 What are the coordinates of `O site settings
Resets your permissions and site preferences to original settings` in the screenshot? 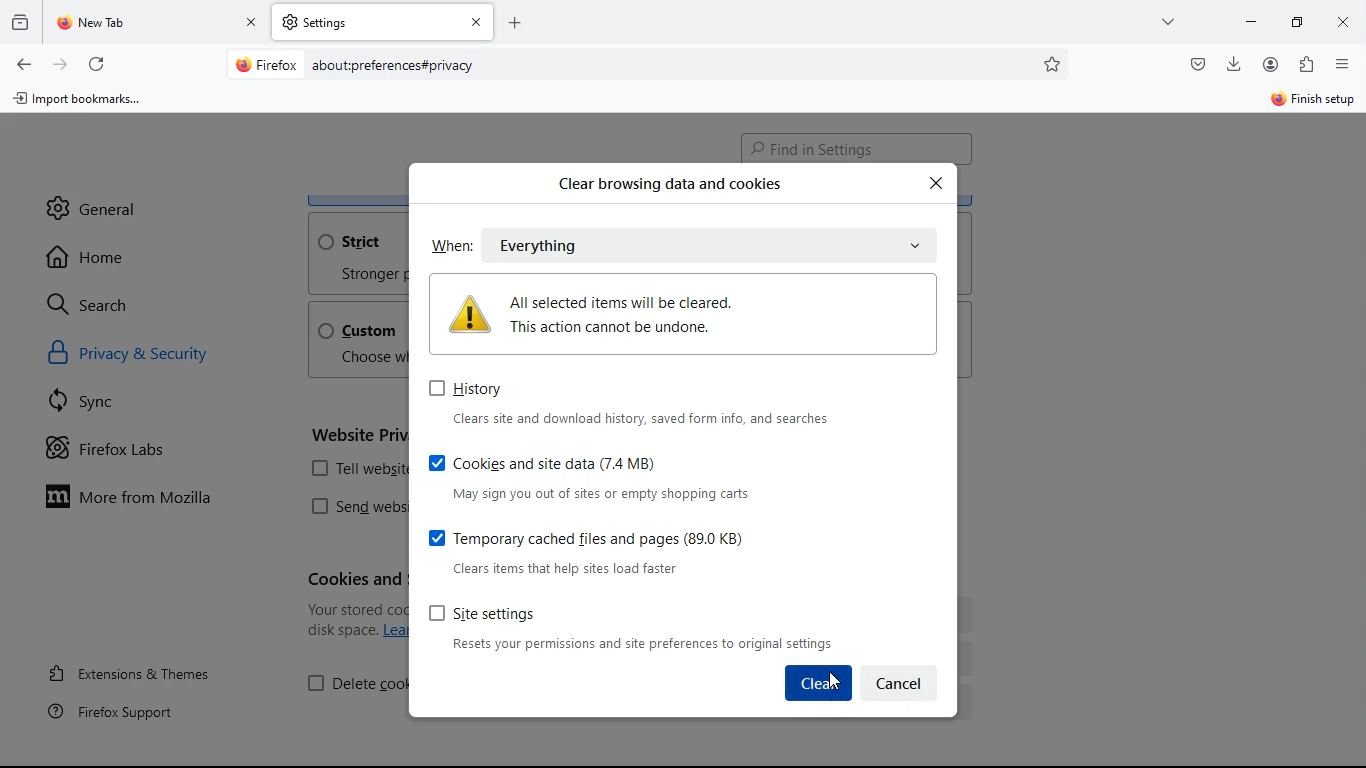 It's located at (633, 627).